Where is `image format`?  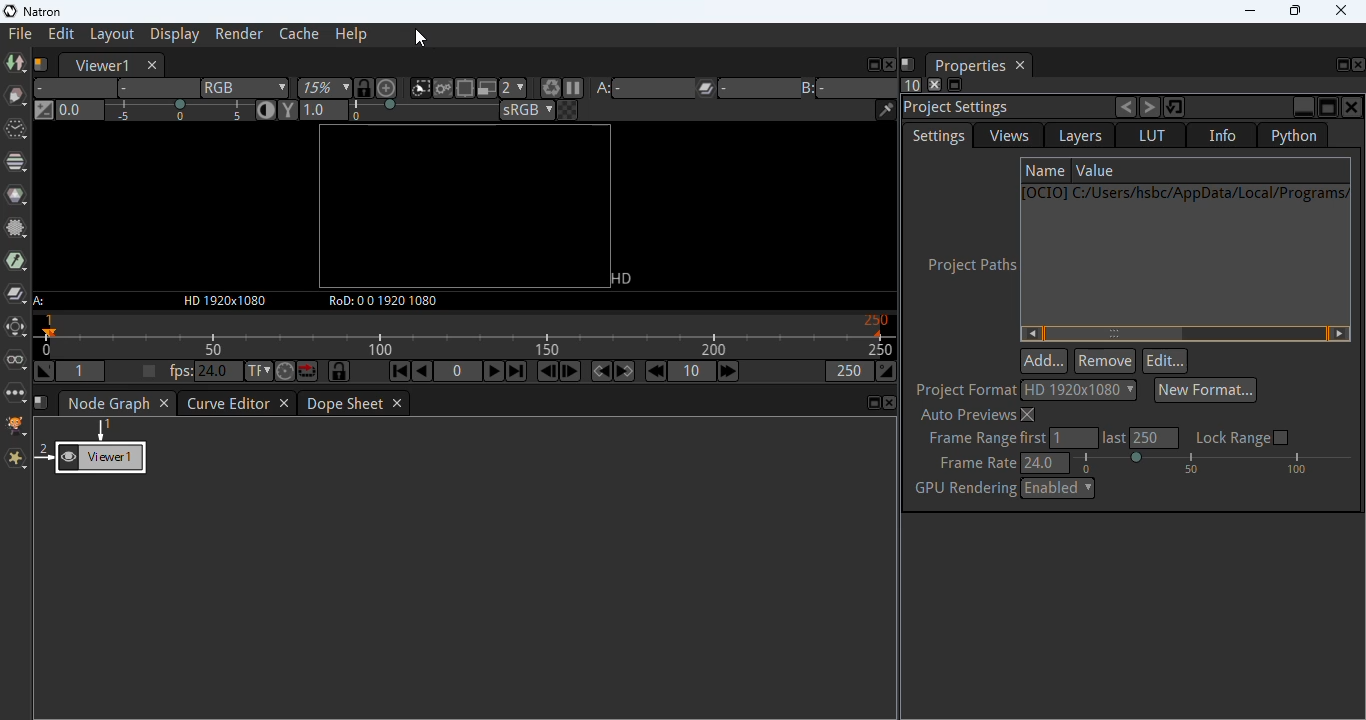 image format is located at coordinates (224, 300).